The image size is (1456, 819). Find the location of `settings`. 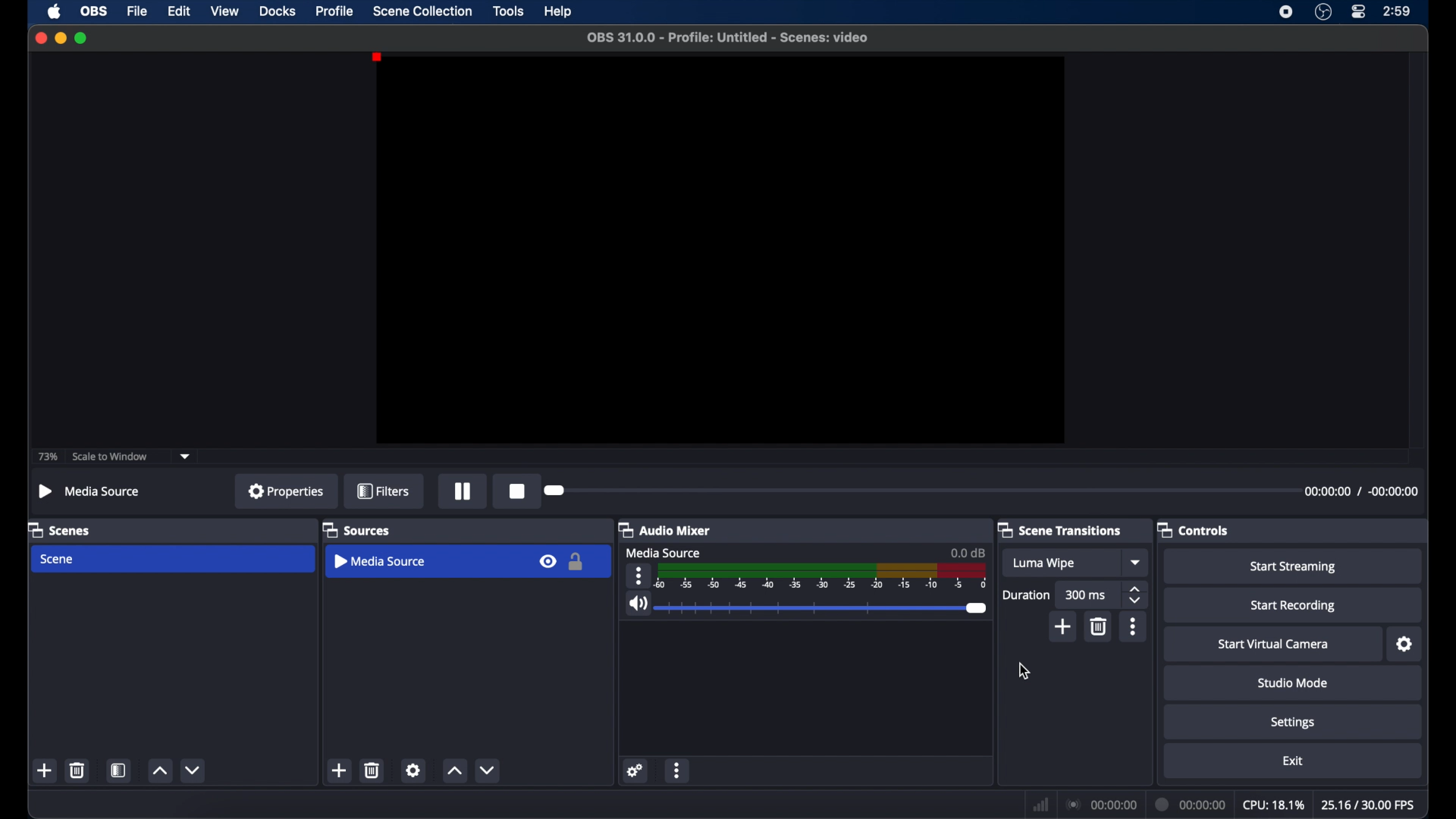

settings is located at coordinates (1406, 645).